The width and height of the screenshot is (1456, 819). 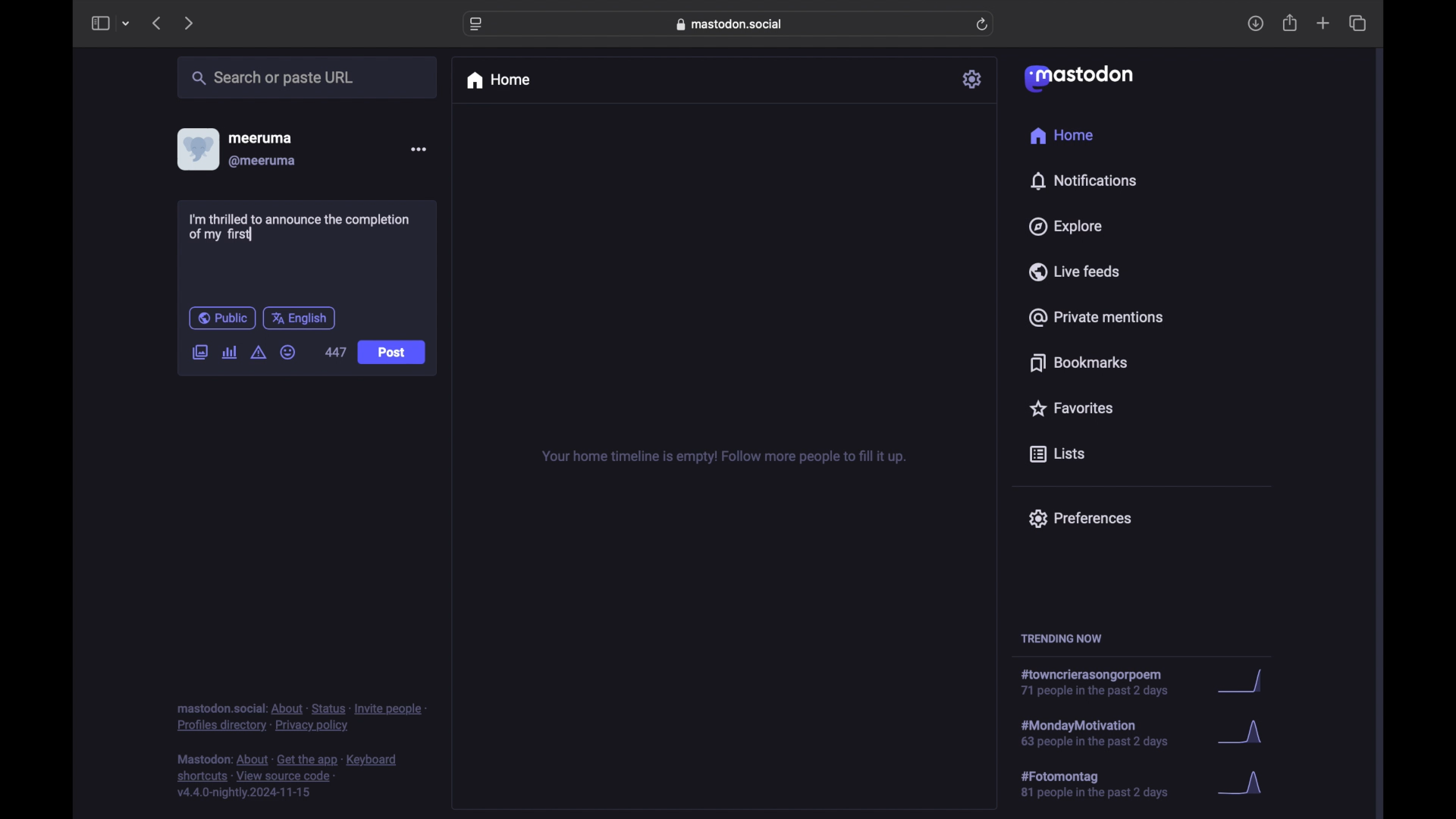 I want to click on favorites, so click(x=1071, y=408).